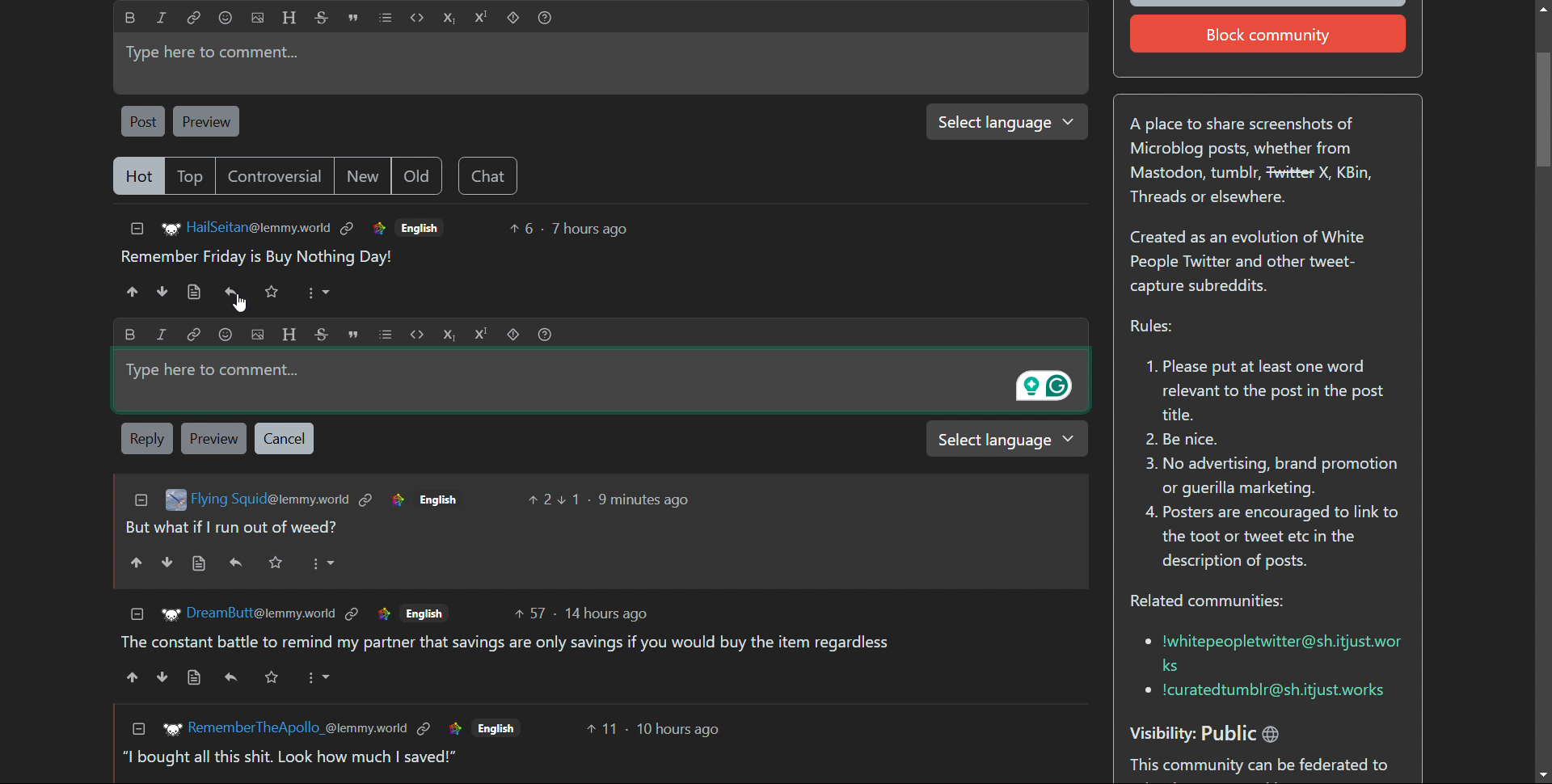 This screenshot has width=1552, height=784. Describe the element at coordinates (174, 501) in the screenshot. I see `image` at that location.